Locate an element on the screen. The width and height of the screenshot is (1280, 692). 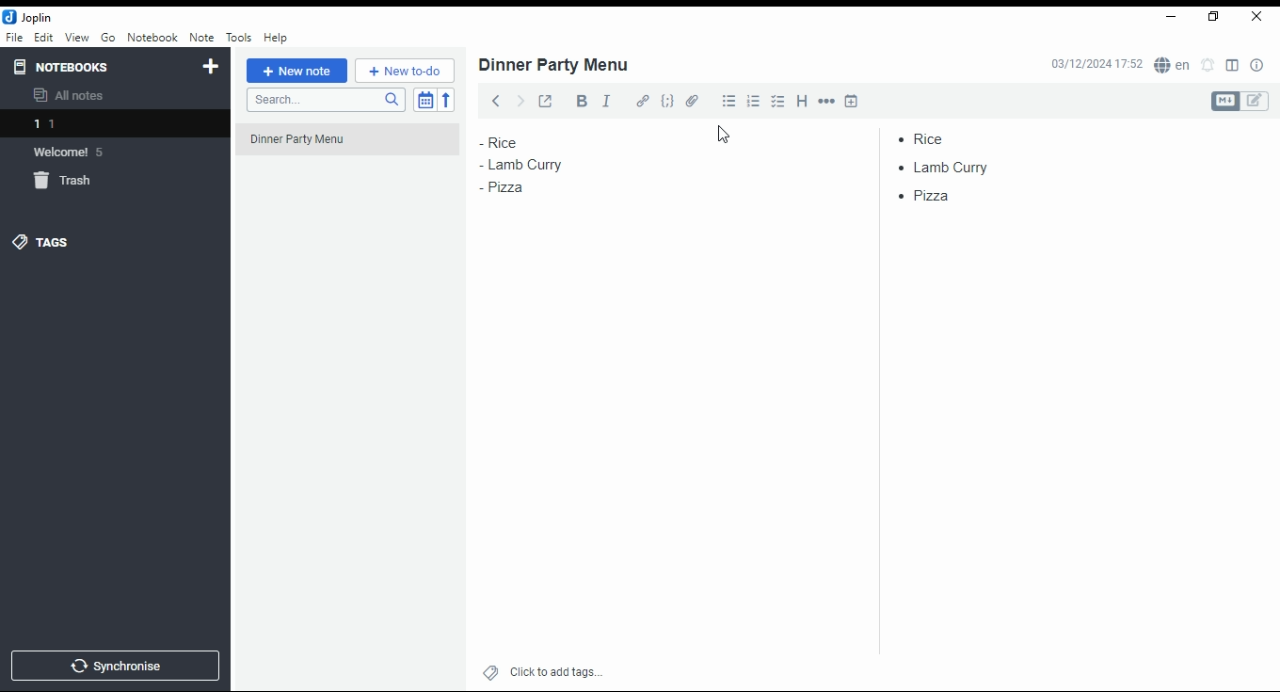
03/12/2024 17:51 is located at coordinates (1094, 65).